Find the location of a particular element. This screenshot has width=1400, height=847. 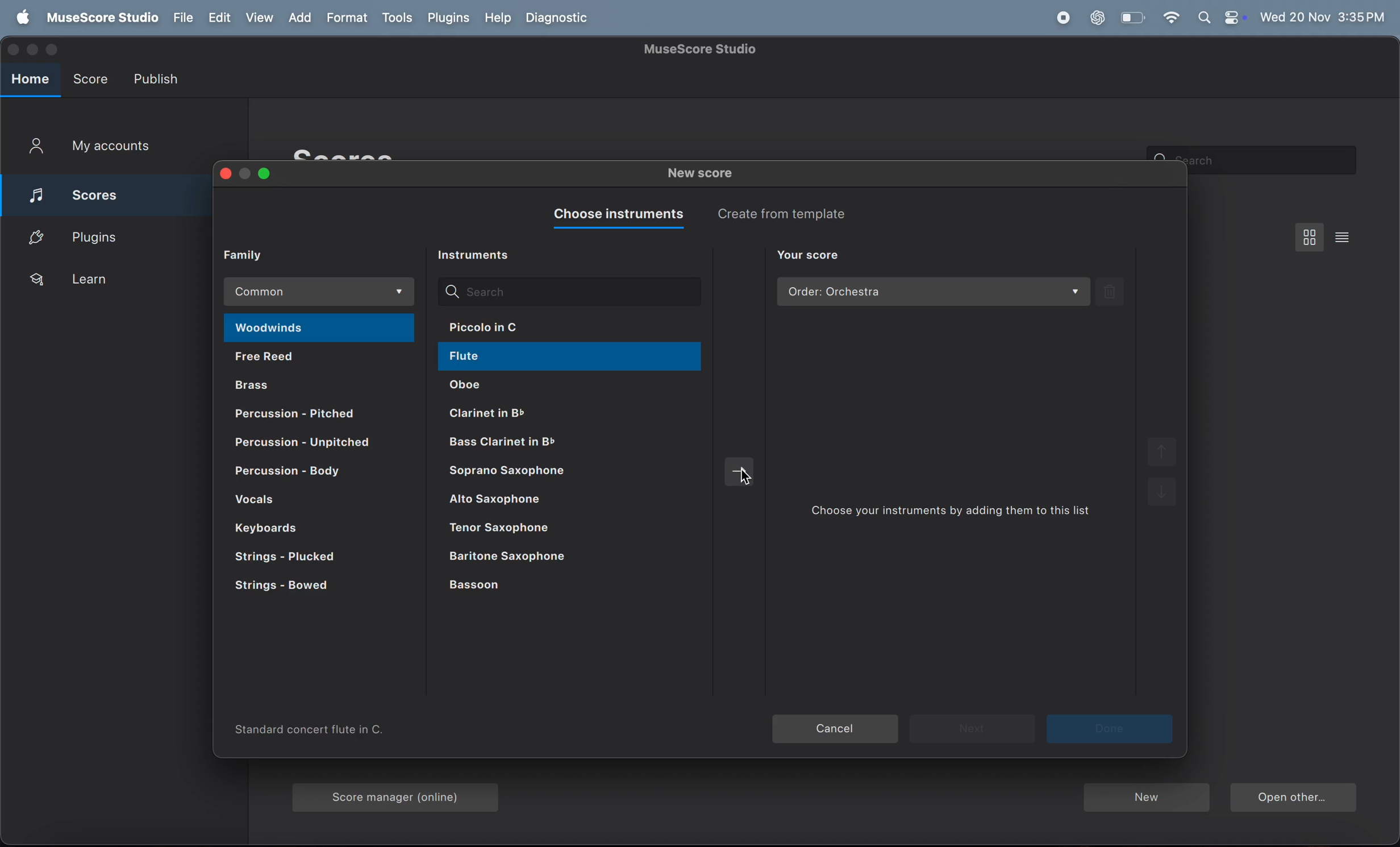

delete is located at coordinates (1111, 291).